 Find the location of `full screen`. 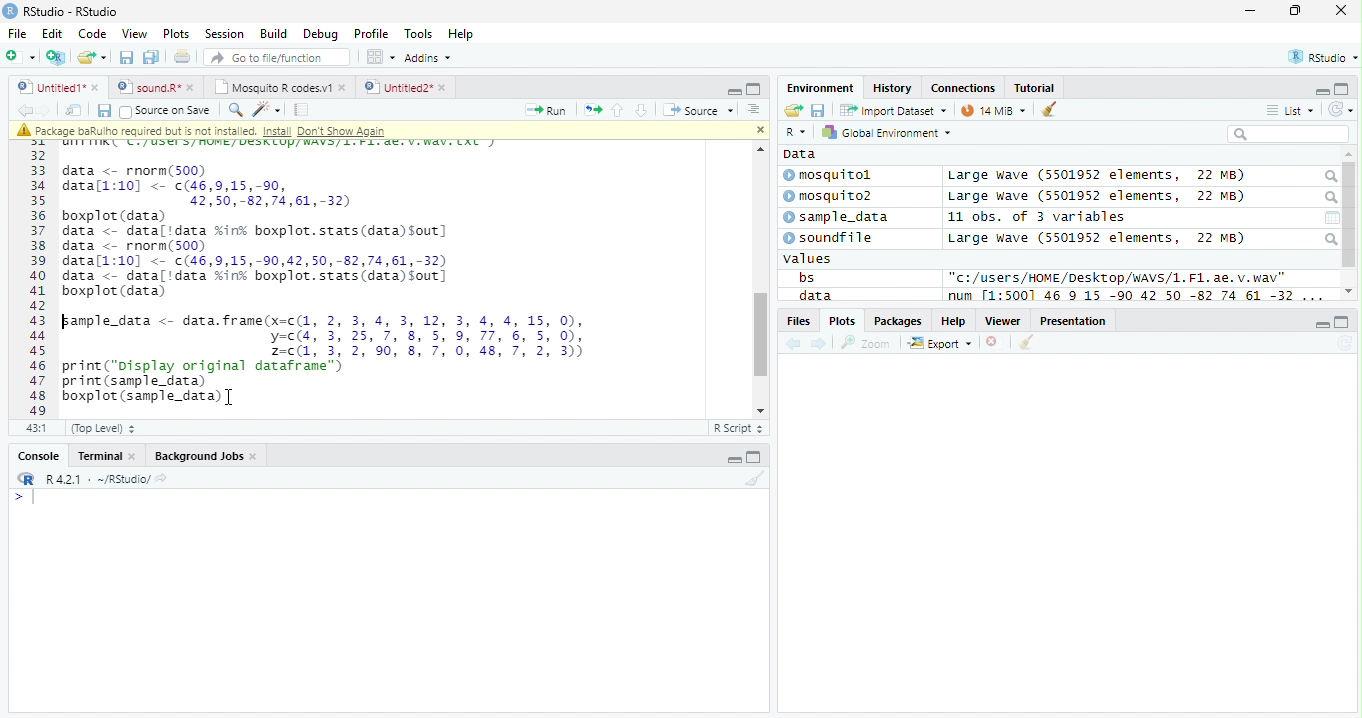

full screen is located at coordinates (754, 456).